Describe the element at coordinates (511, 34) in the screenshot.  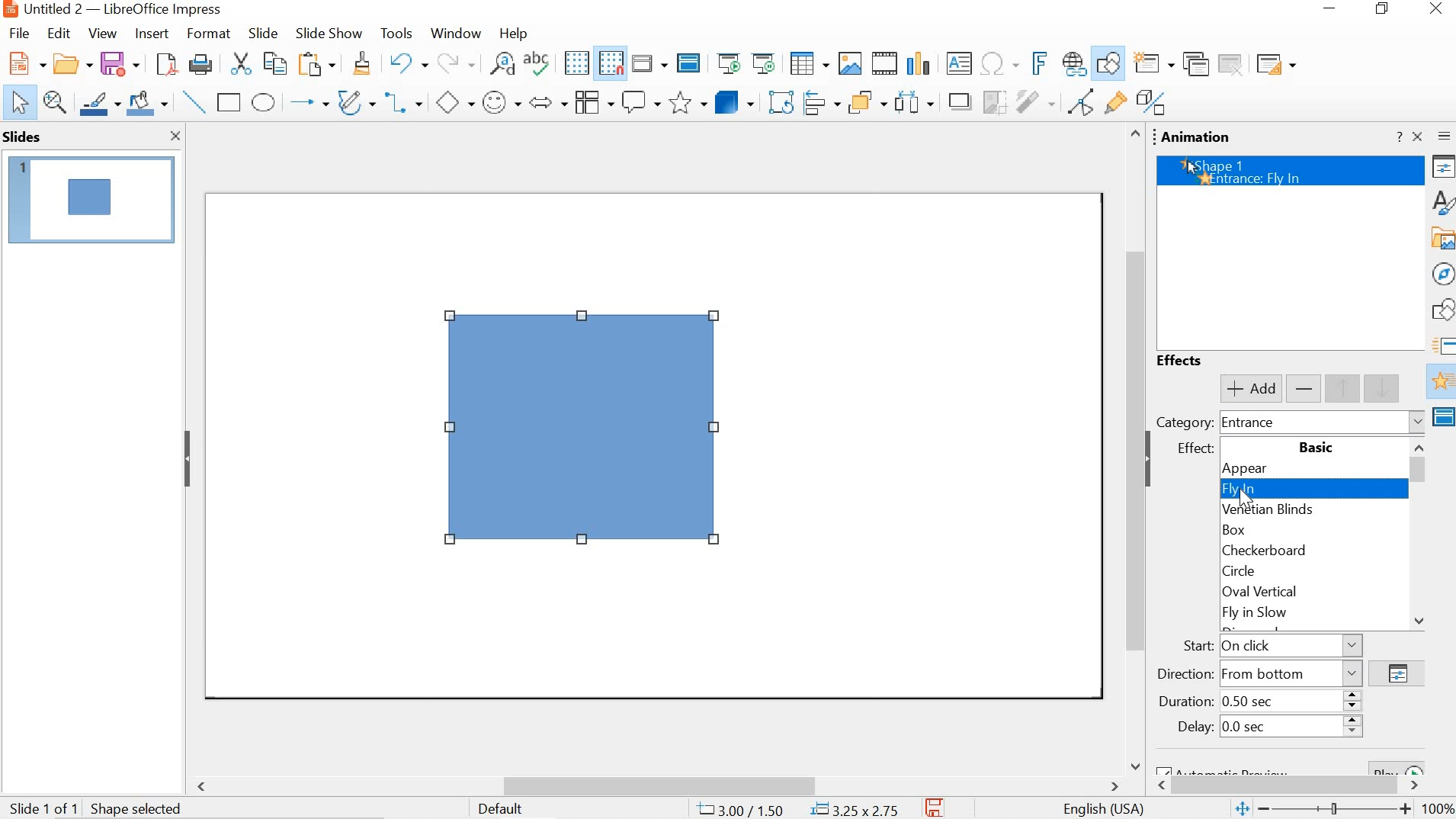
I see `help` at that location.